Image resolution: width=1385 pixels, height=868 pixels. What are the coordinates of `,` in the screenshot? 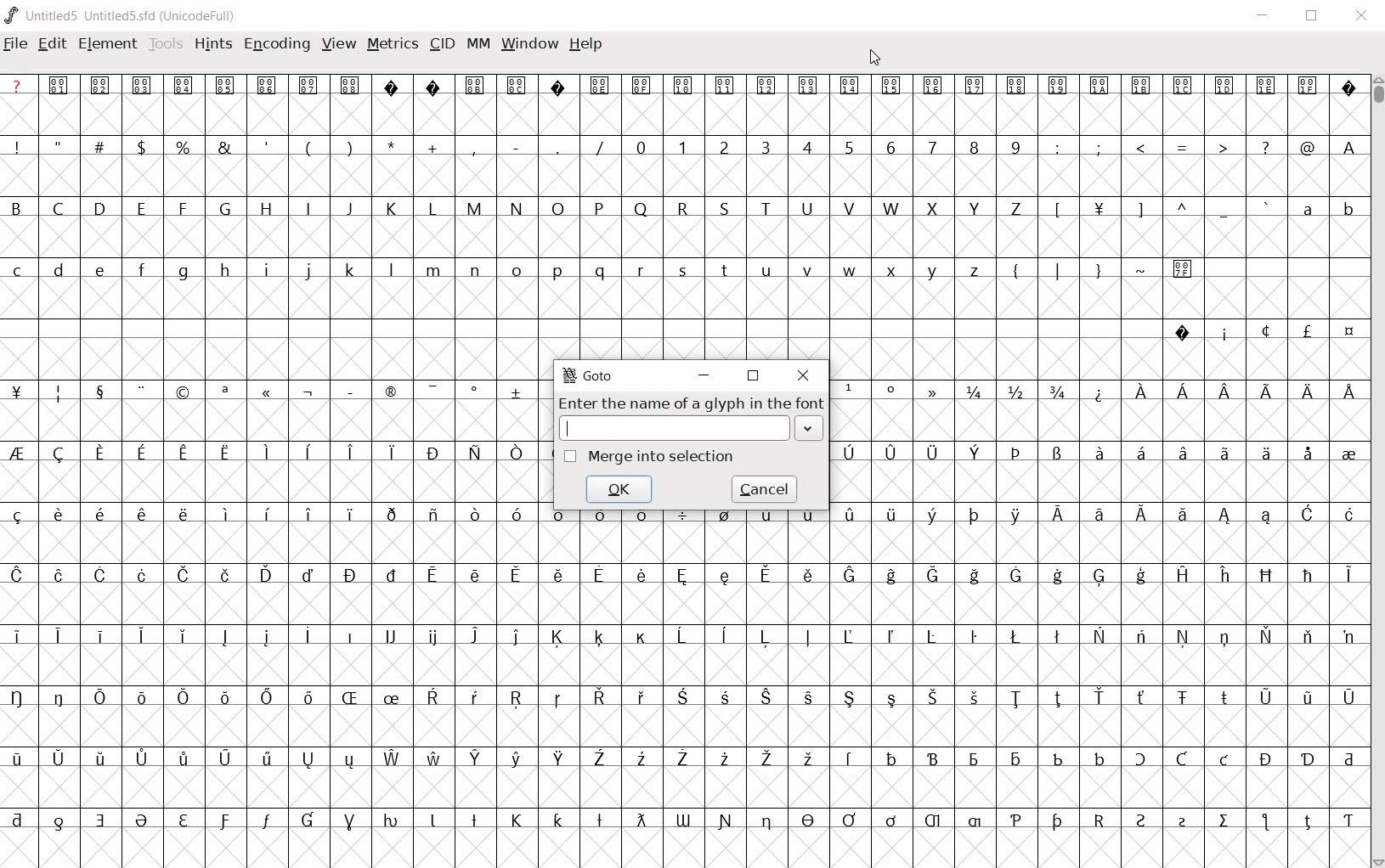 It's located at (474, 149).